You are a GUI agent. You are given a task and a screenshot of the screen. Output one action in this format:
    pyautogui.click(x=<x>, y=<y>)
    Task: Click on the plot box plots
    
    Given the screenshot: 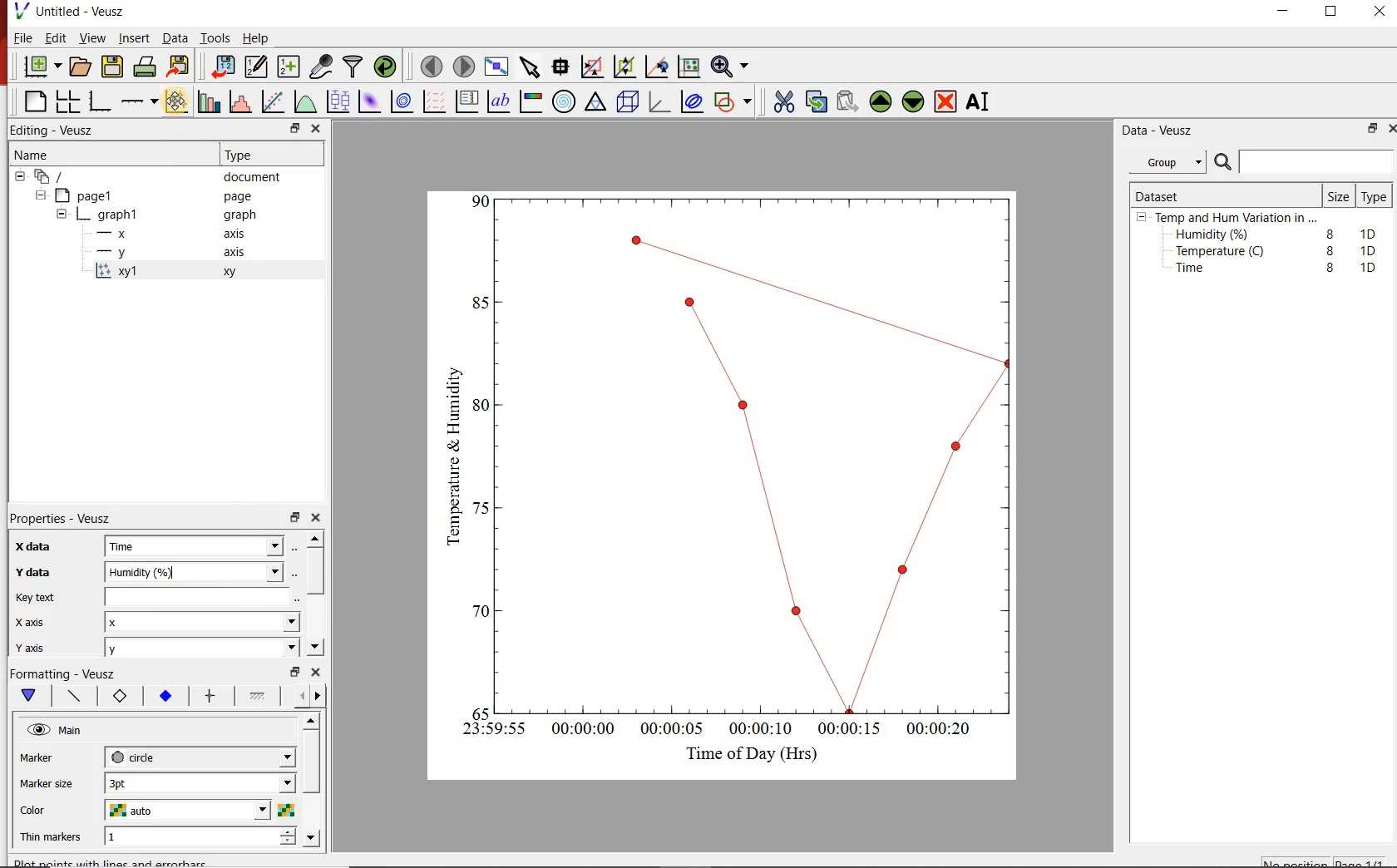 What is the action you would take?
    pyautogui.click(x=338, y=102)
    